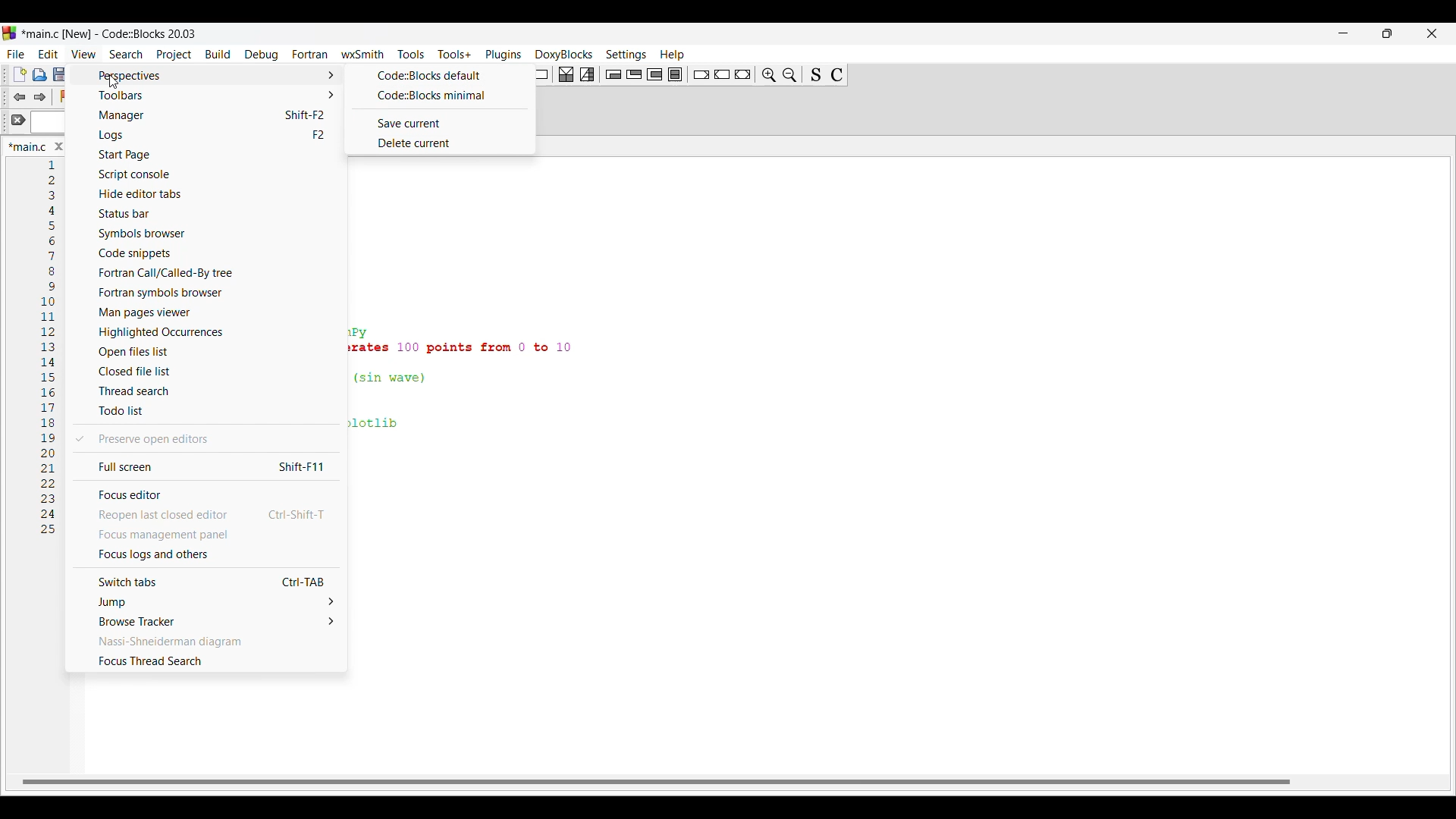 This screenshot has height=819, width=1456. I want to click on Settings menu, so click(626, 55).